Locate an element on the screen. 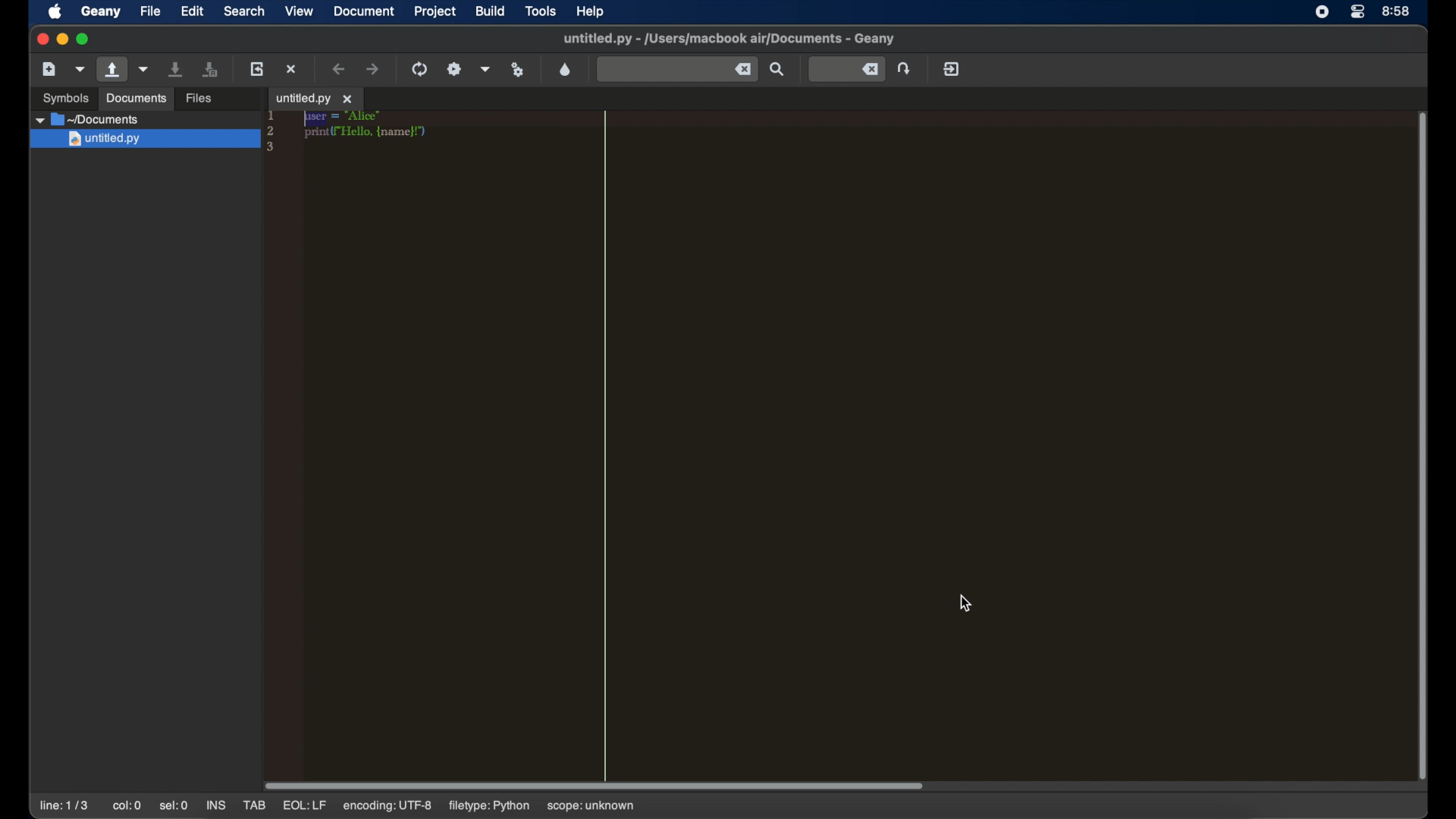 The height and width of the screenshot is (819, 1456). project is located at coordinates (435, 12).